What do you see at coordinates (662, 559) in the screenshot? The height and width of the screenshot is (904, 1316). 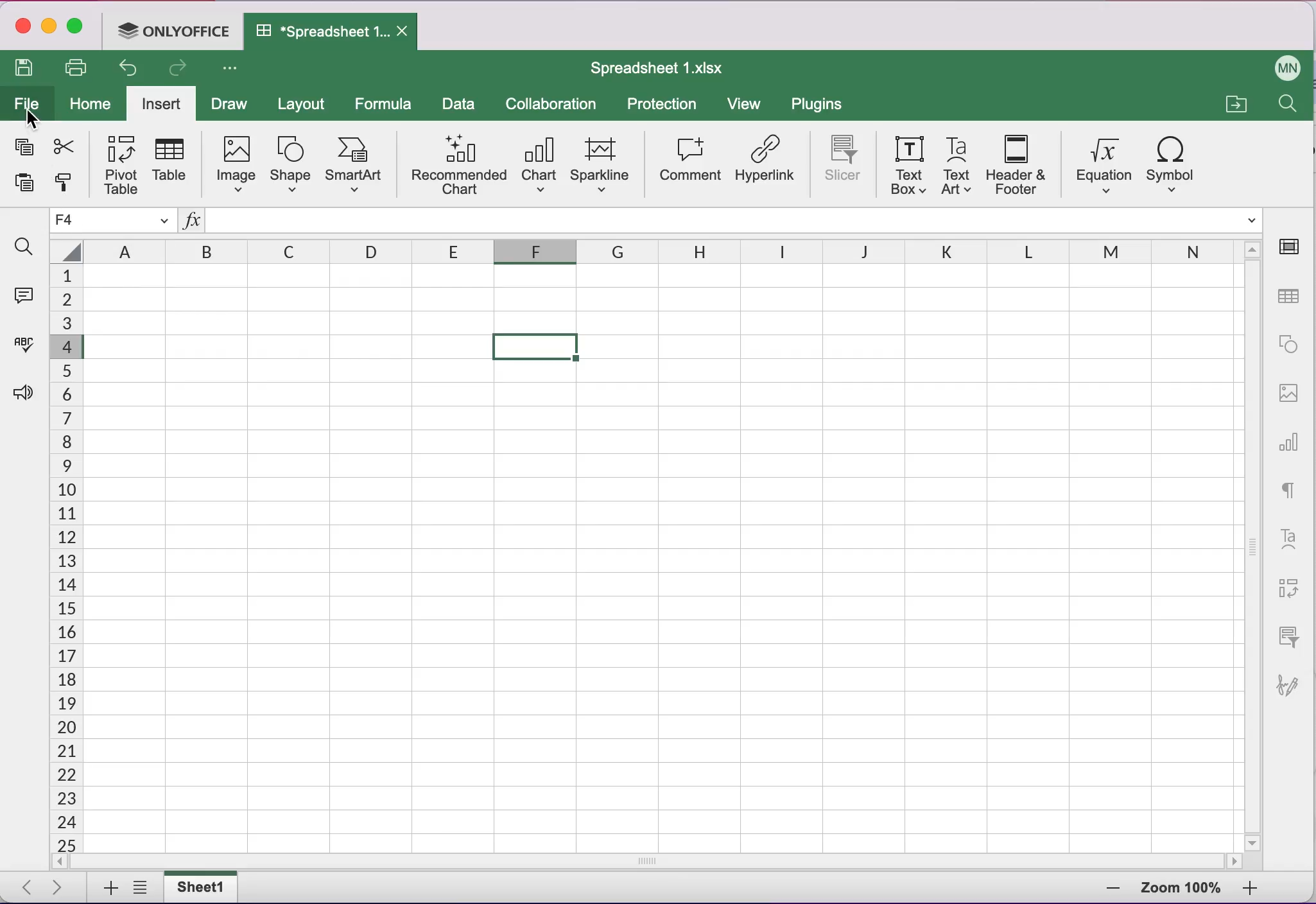 I see `columns canvas` at bounding box center [662, 559].